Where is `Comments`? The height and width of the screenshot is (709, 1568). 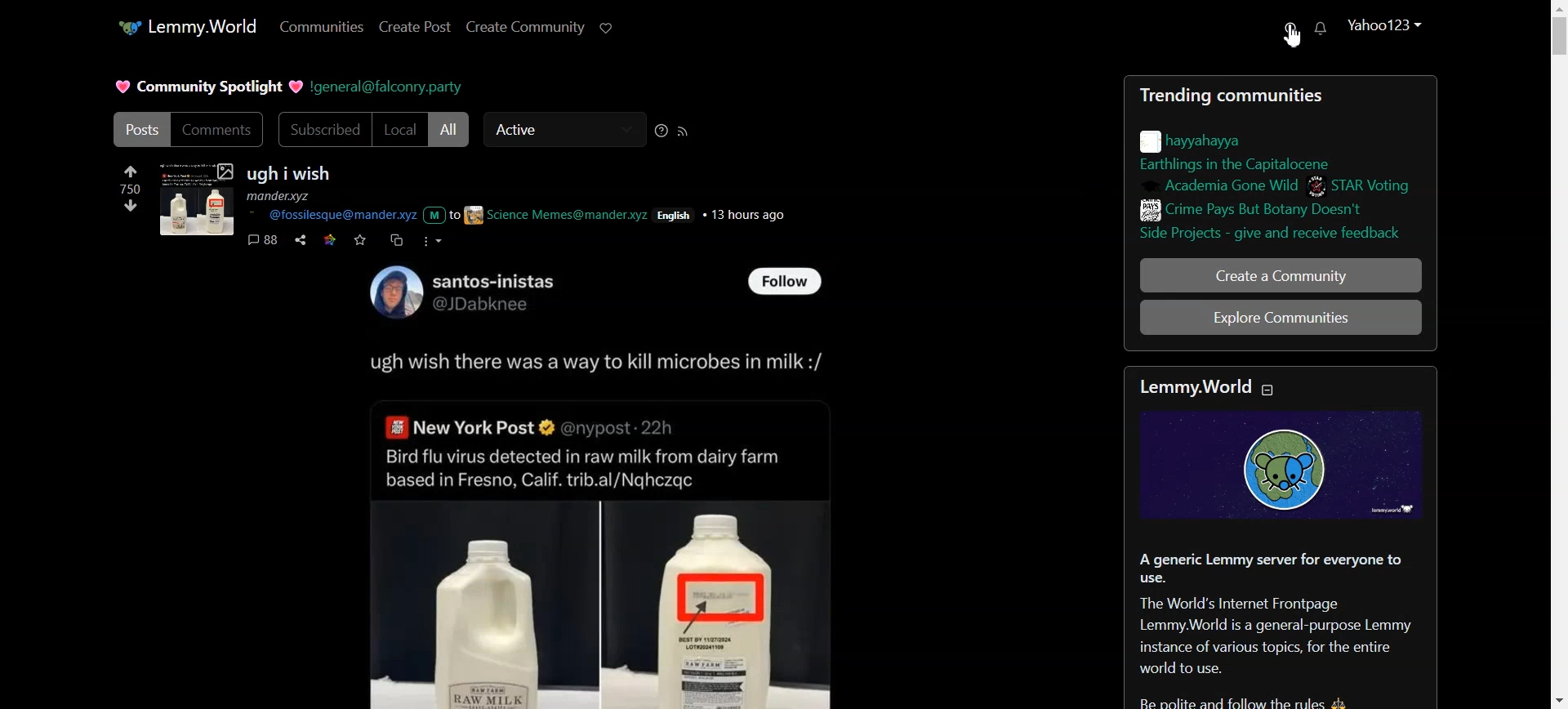
Comments is located at coordinates (221, 128).